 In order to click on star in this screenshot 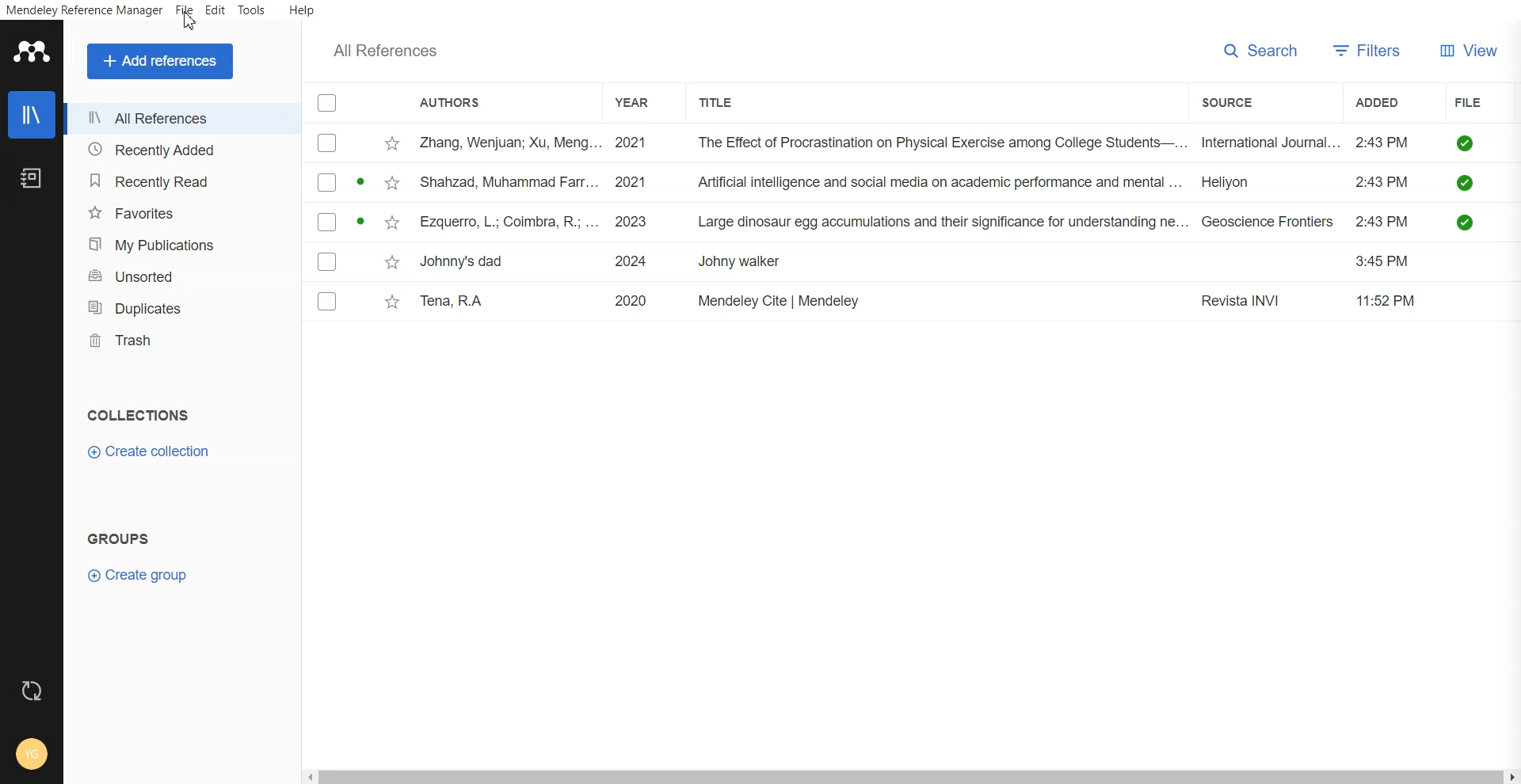, I will do `click(390, 303)`.